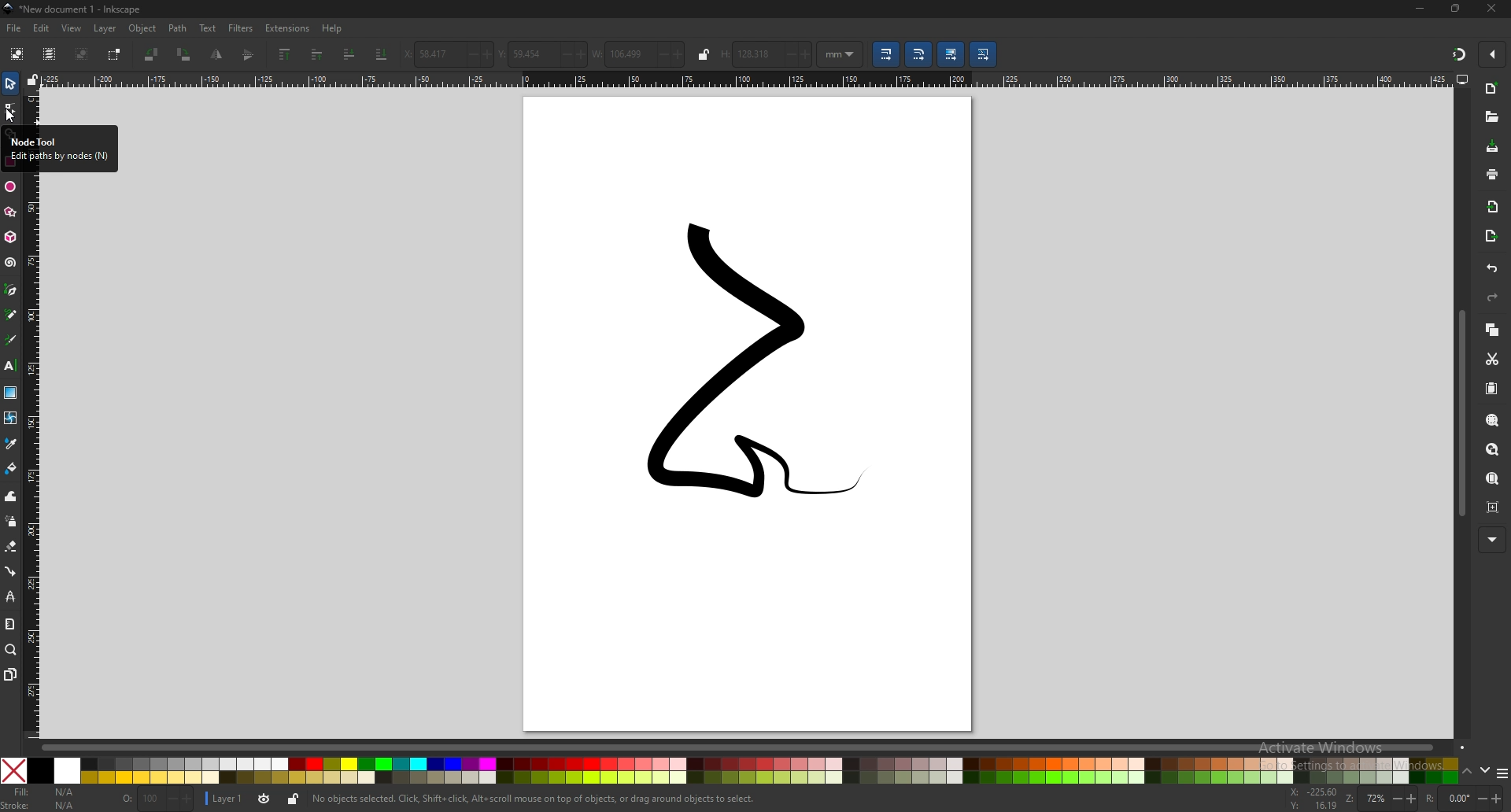 This screenshot has width=1511, height=812. What do you see at coordinates (9, 625) in the screenshot?
I see `measure` at bounding box center [9, 625].